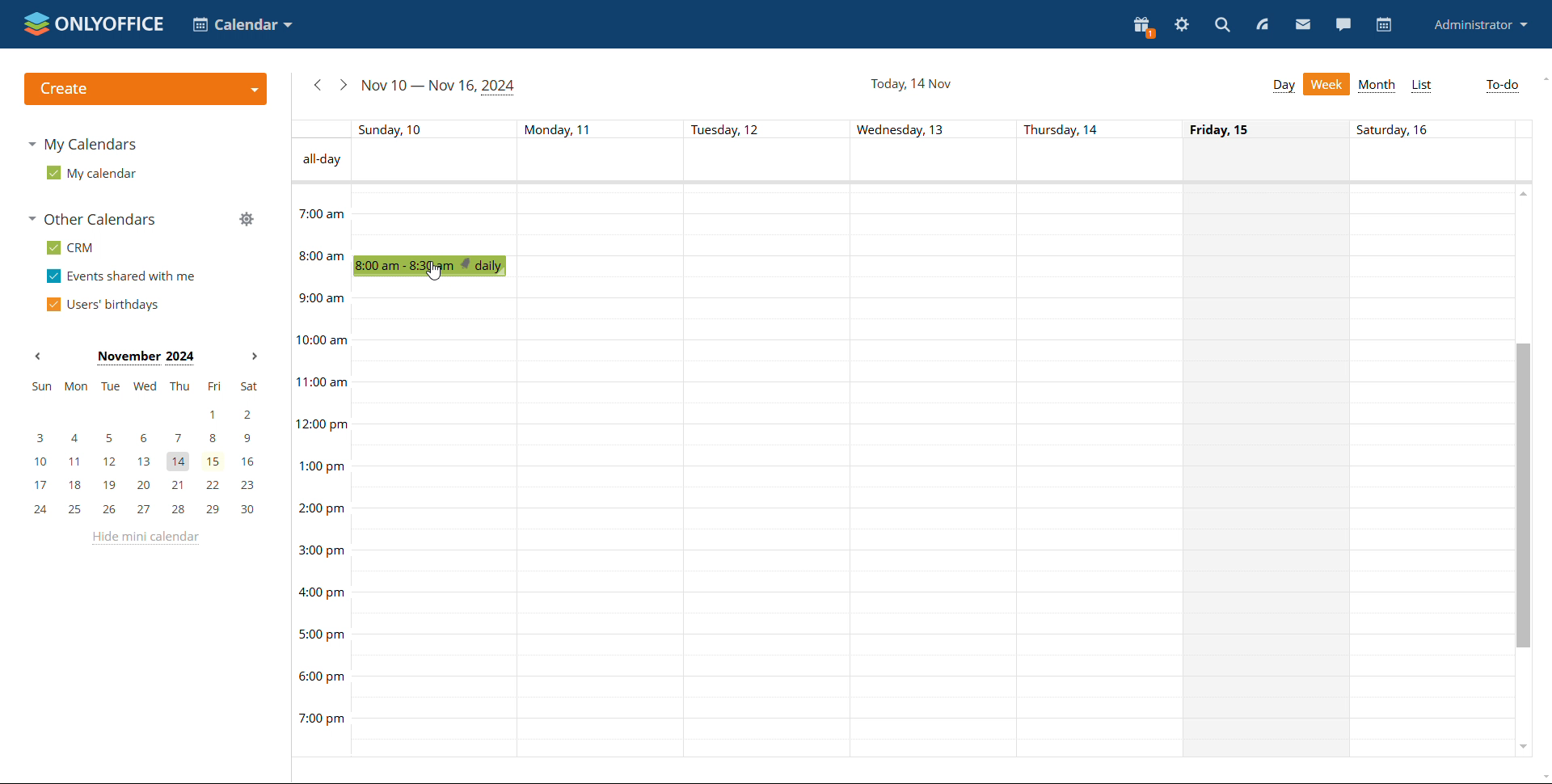  What do you see at coordinates (246, 218) in the screenshot?
I see `manage` at bounding box center [246, 218].